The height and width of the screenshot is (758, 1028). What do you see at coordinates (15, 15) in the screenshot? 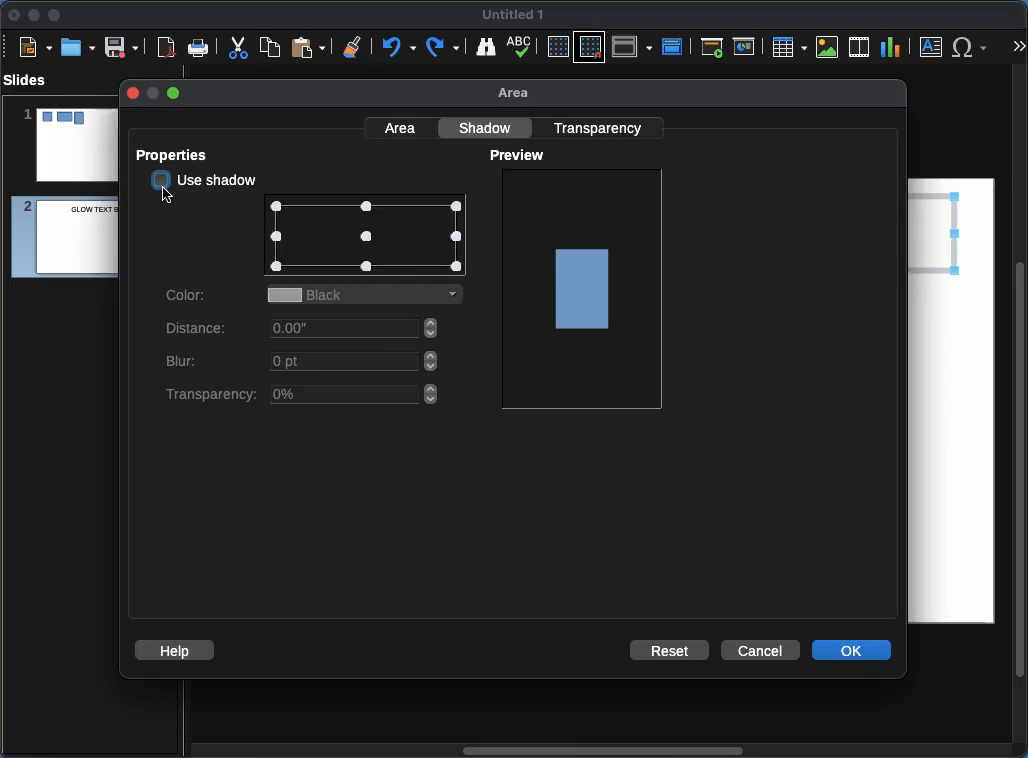
I see `Close` at bounding box center [15, 15].